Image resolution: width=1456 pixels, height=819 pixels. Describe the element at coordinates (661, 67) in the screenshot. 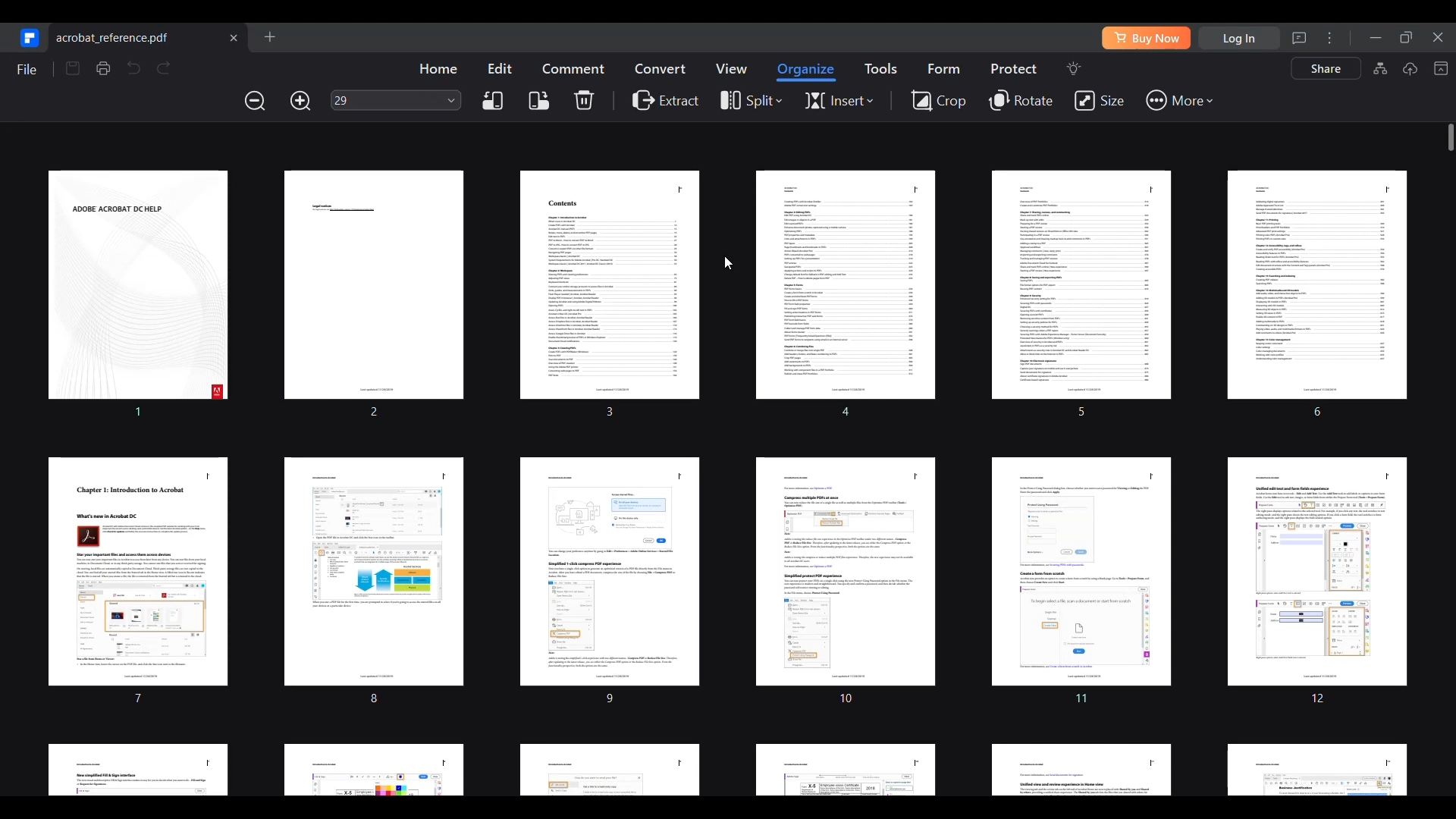

I see `Convert` at that location.